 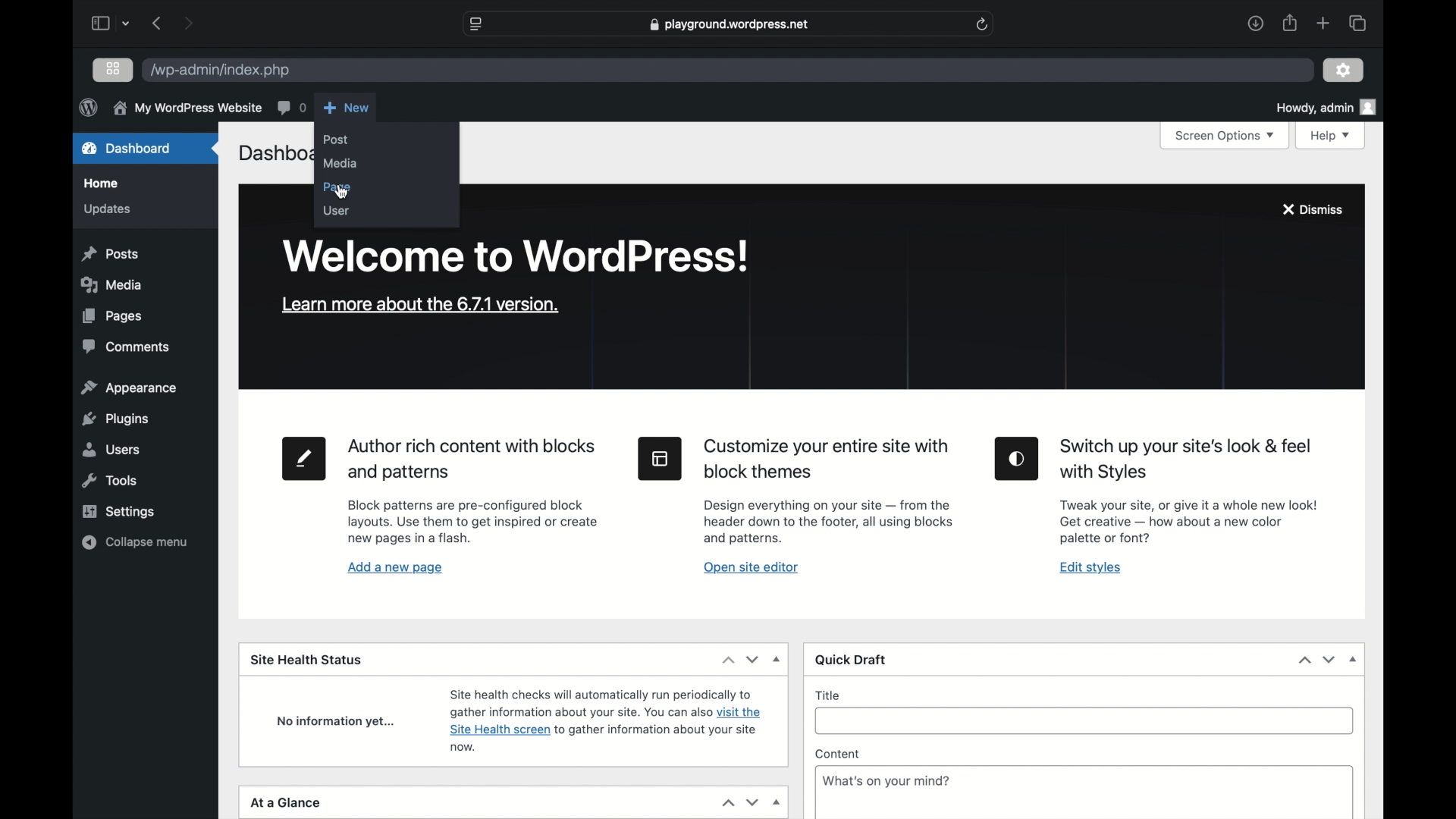 I want to click on no information yet, so click(x=336, y=721).